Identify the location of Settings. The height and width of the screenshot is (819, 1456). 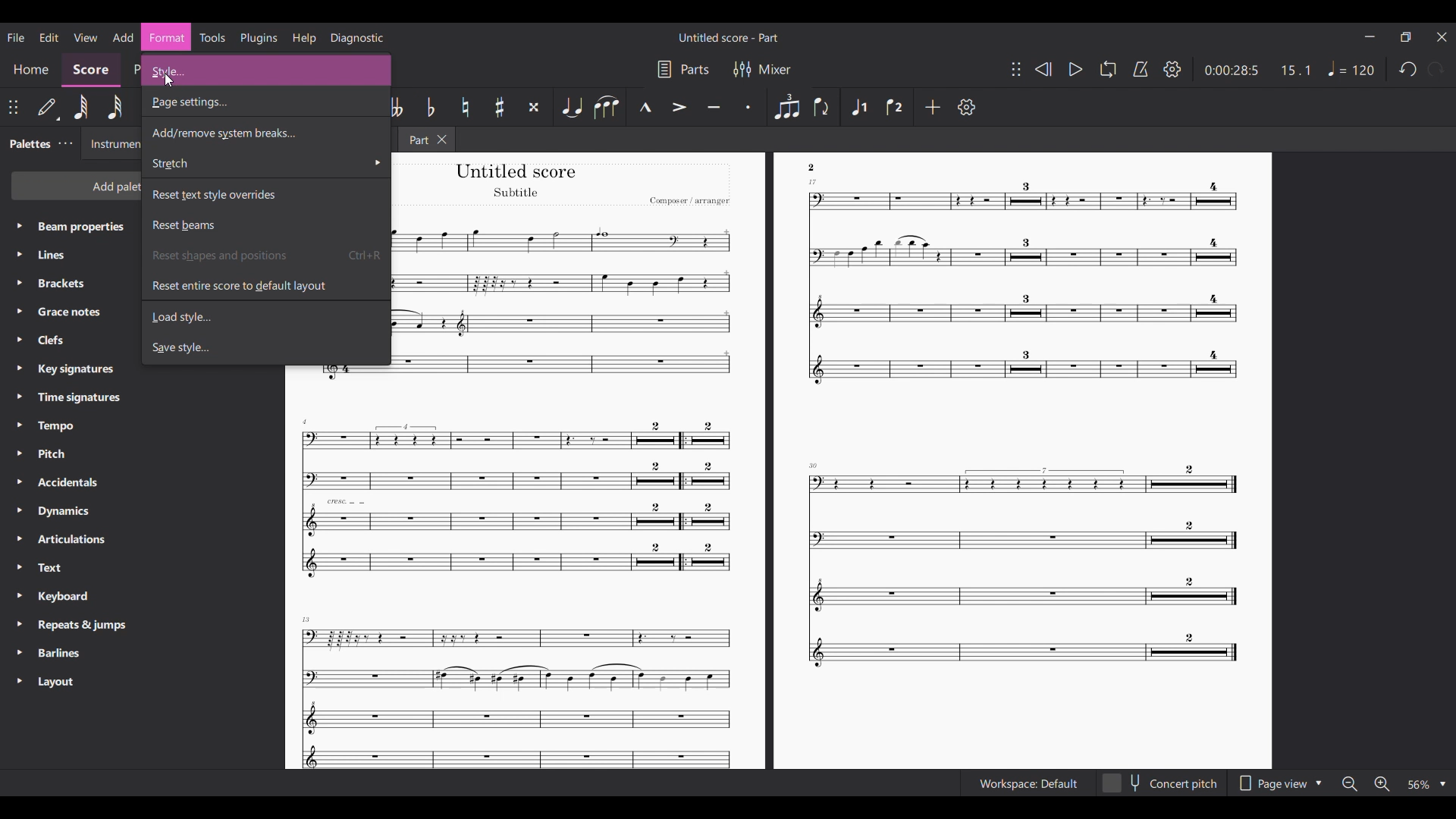
(1172, 69).